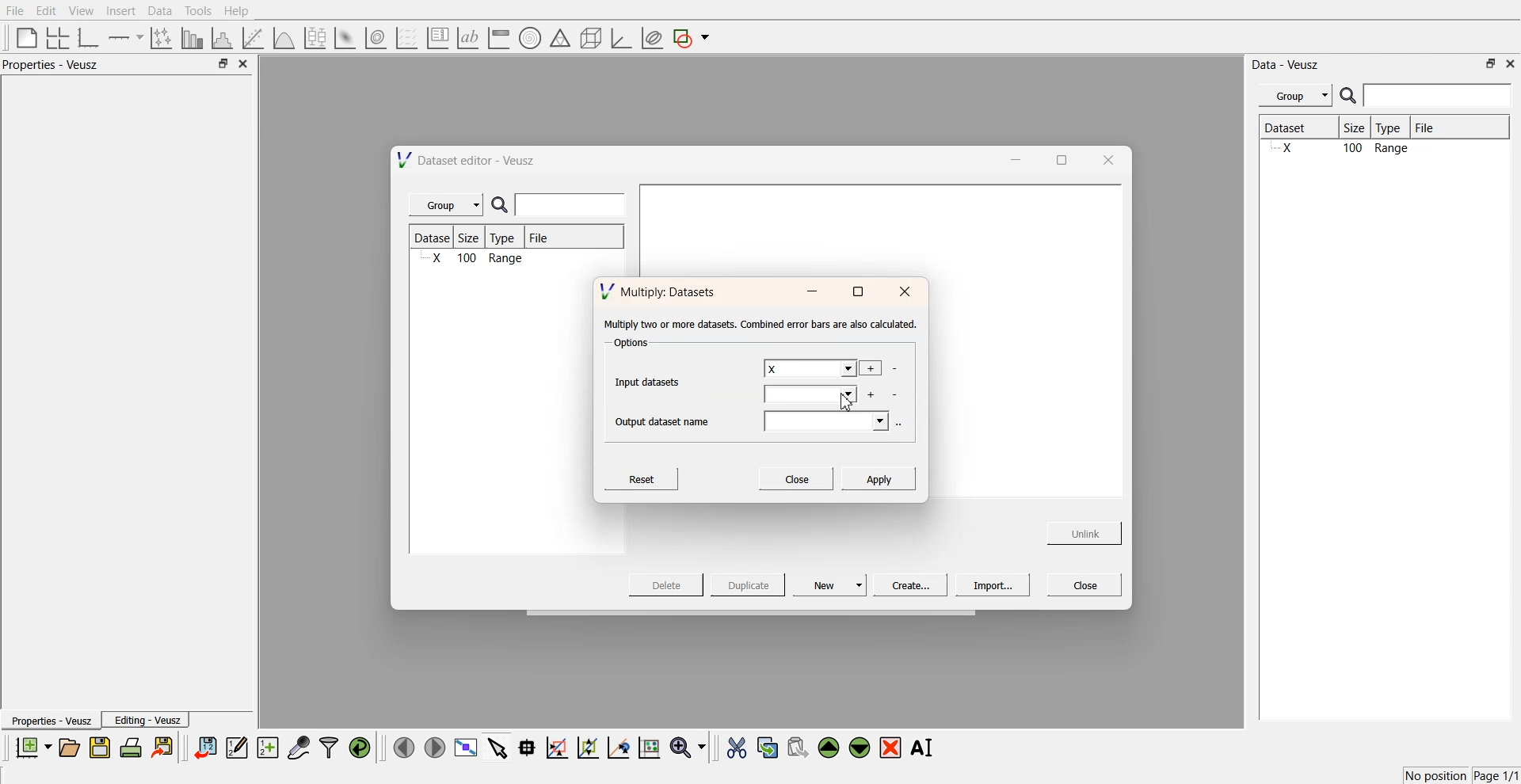 The image size is (1521, 784). I want to click on File, so click(1439, 127).